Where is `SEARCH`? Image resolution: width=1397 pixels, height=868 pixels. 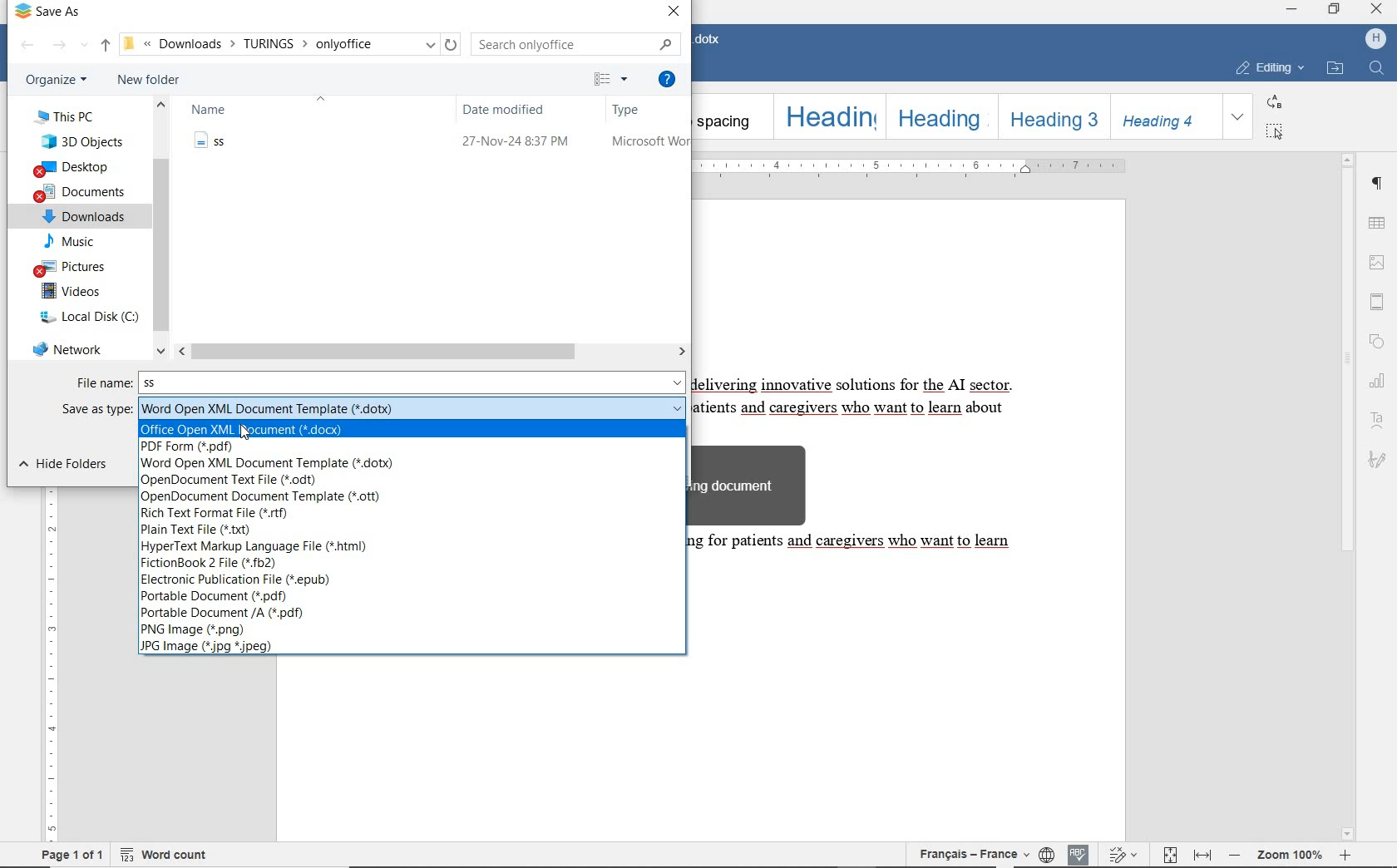
SEARCH is located at coordinates (575, 42).